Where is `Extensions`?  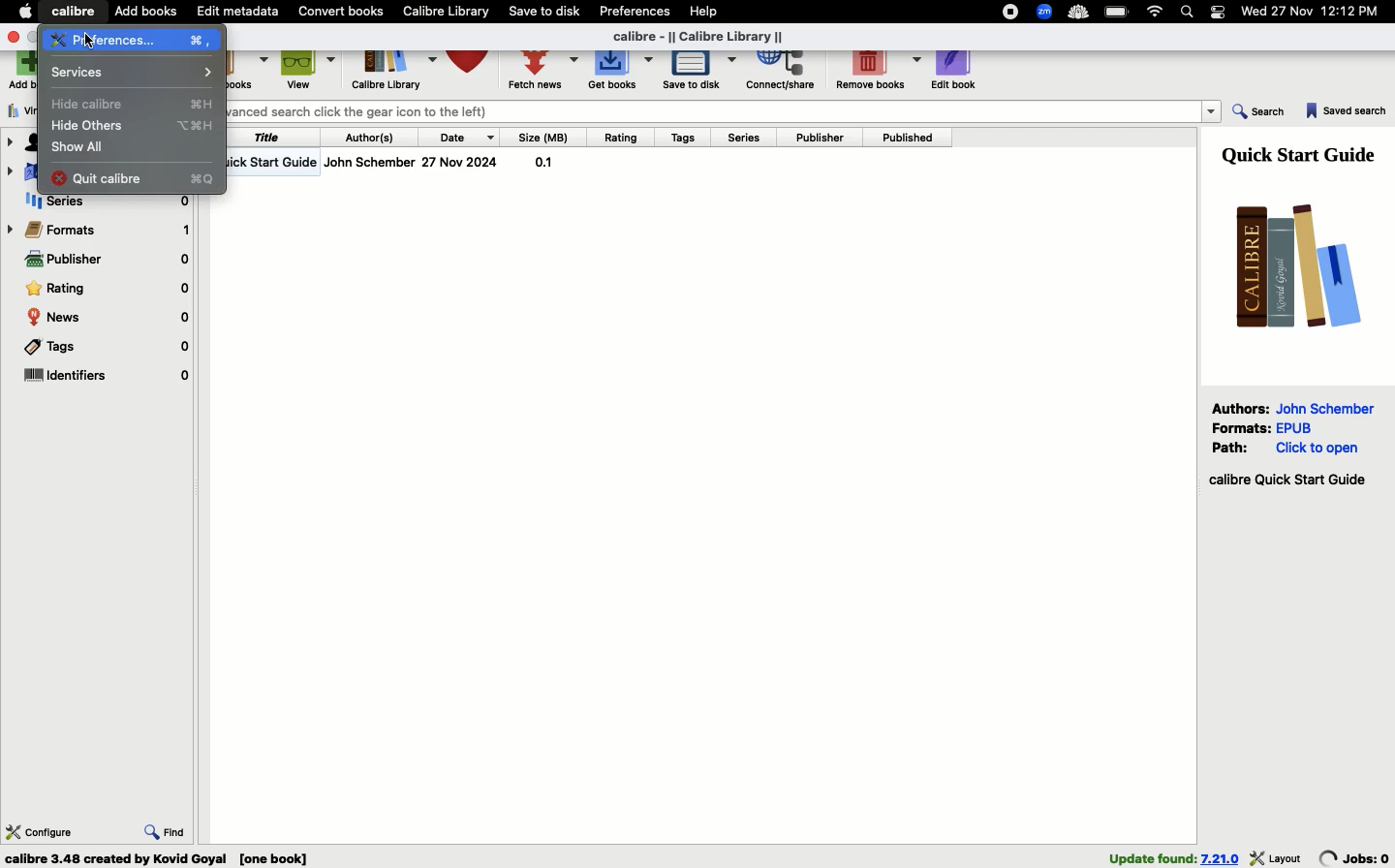
Extensions is located at coordinates (1046, 14).